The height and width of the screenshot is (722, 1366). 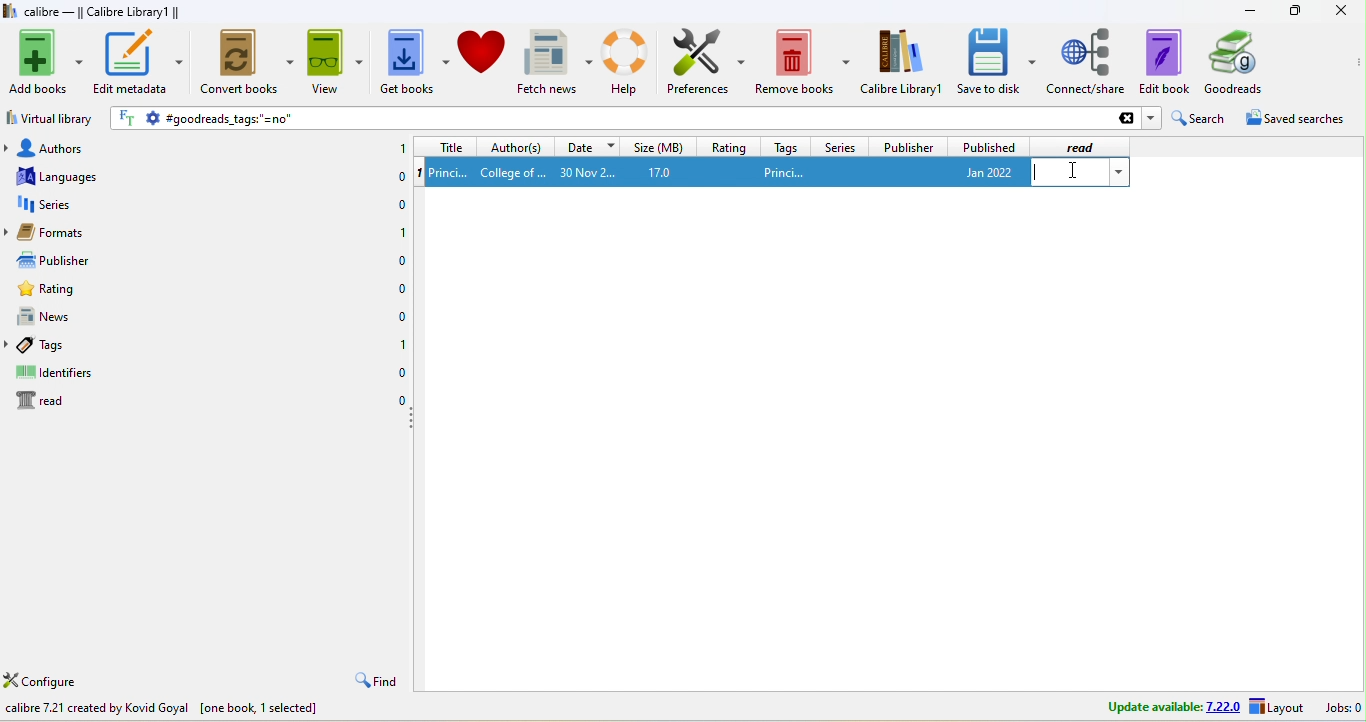 I want to click on goodreads tags ''=no'', so click(x=652, y=118).